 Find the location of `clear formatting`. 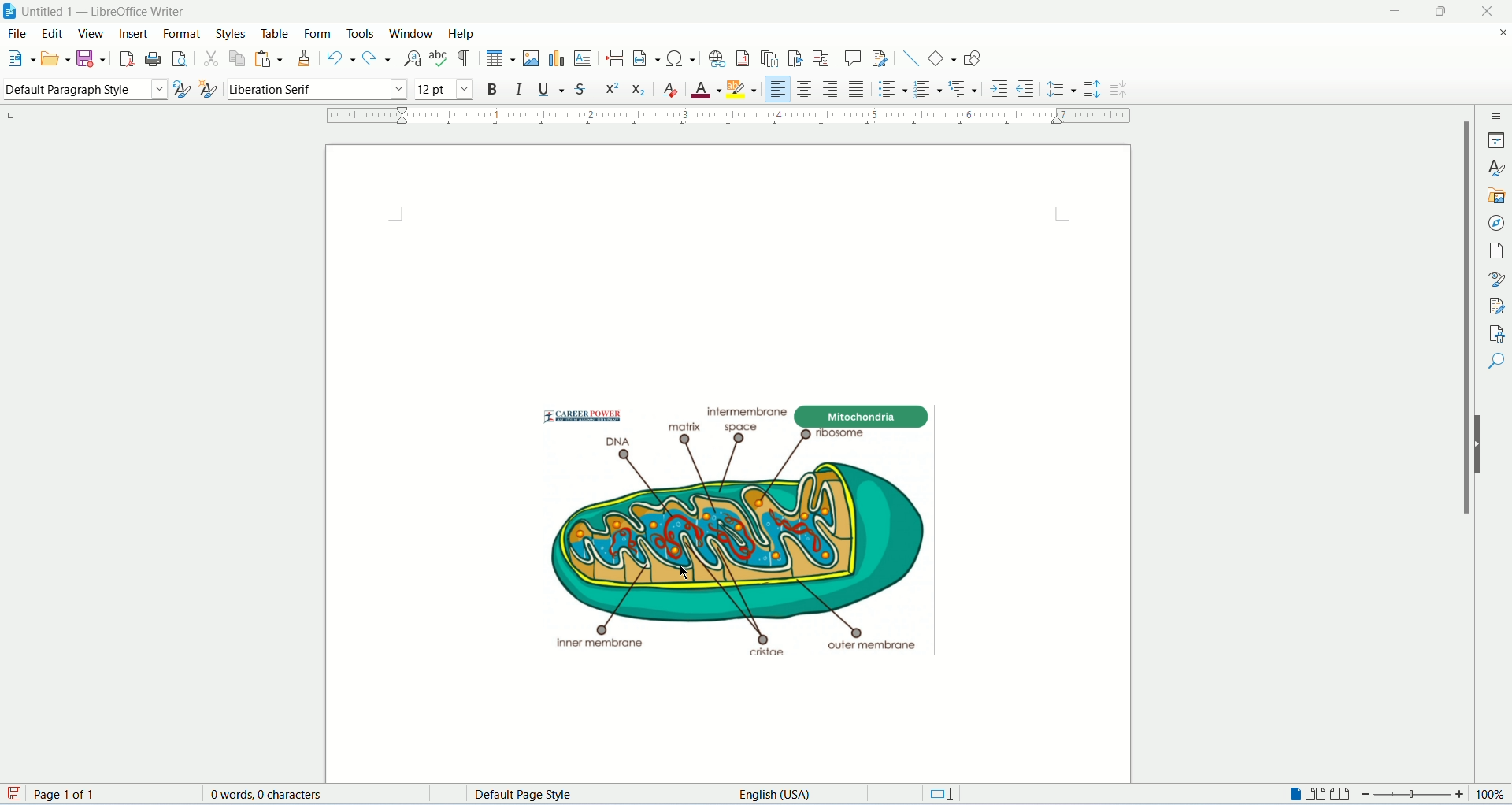

clear formatting is located at coordinates (672, 91).